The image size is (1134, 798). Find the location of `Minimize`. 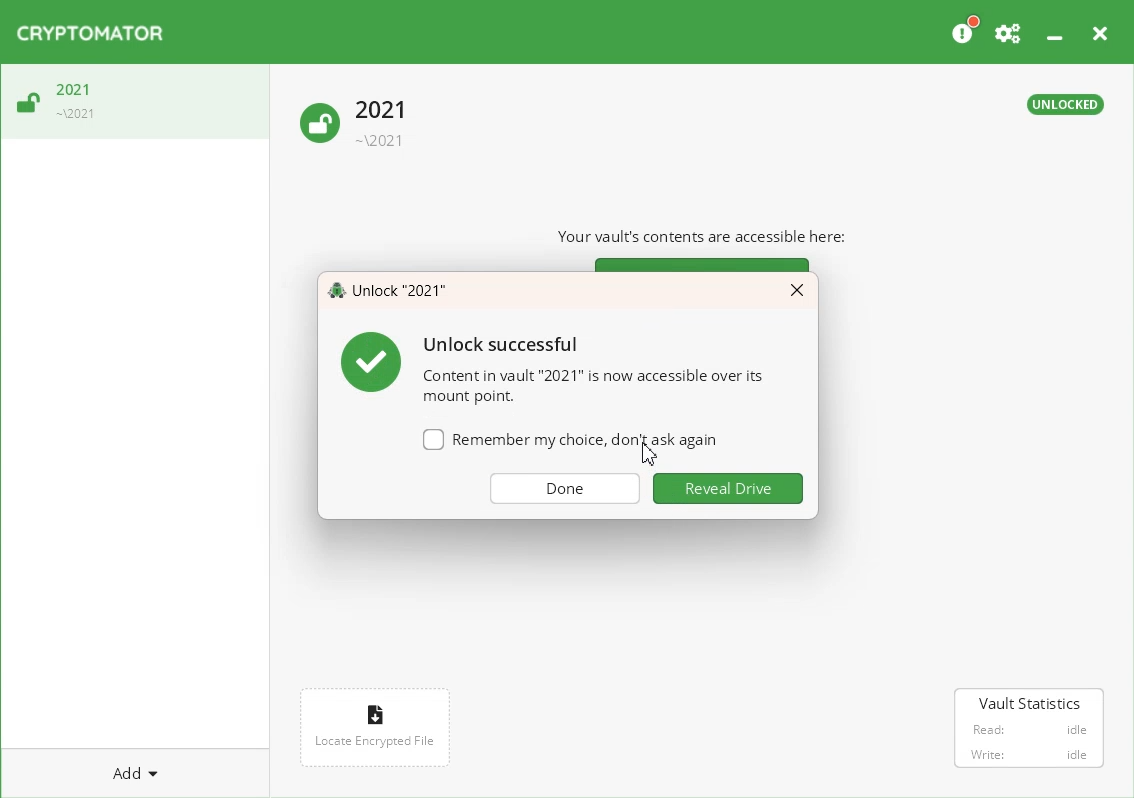

Minimize is located at coordinates (1054, 29).